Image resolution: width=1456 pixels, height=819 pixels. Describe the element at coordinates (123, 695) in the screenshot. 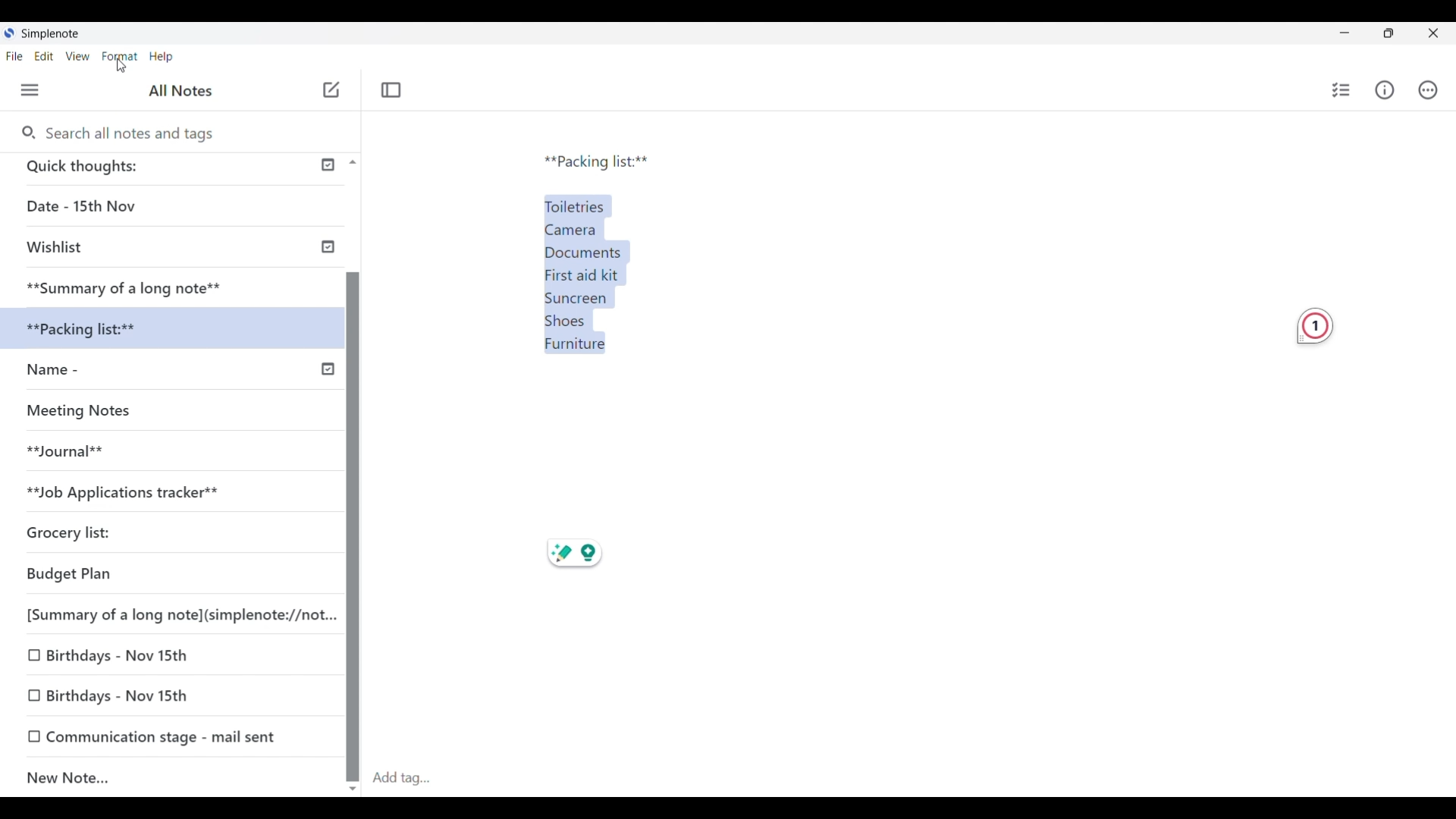

I see `0 Birthdays - Nov 15th` at that location.